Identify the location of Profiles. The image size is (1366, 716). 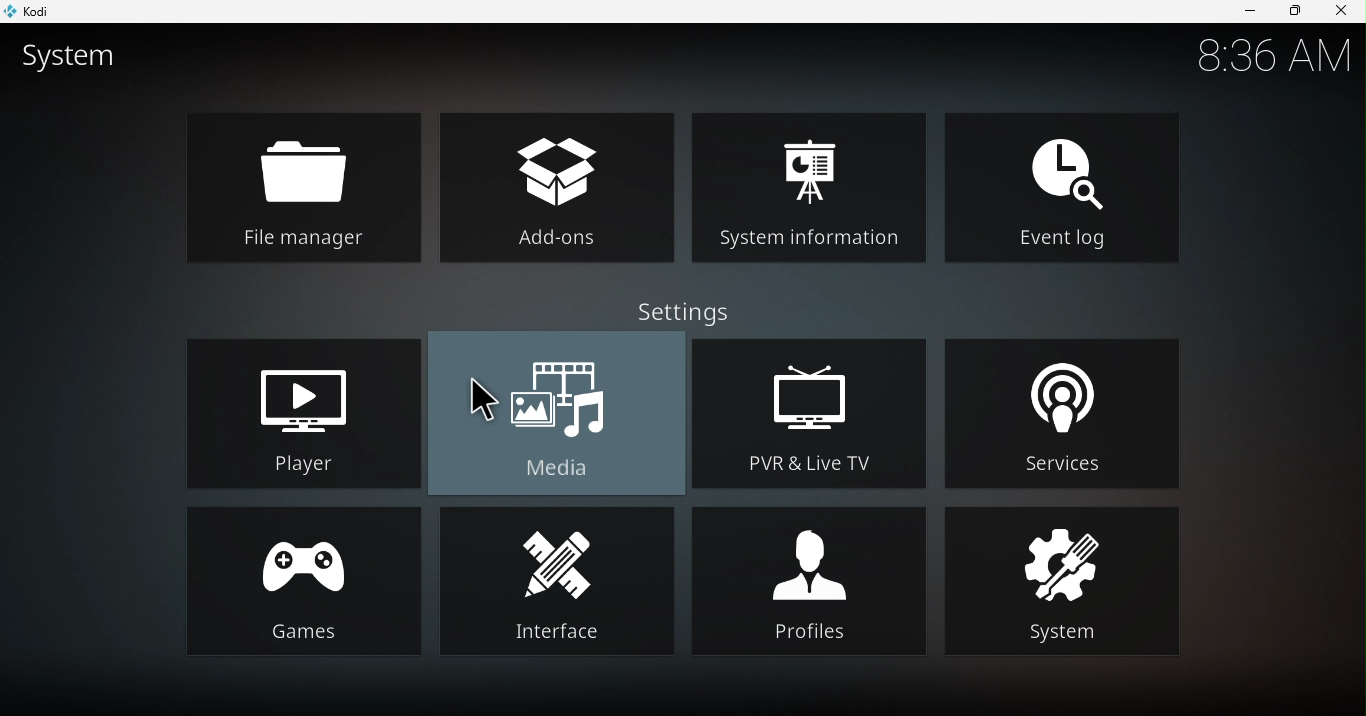
(811, 579).